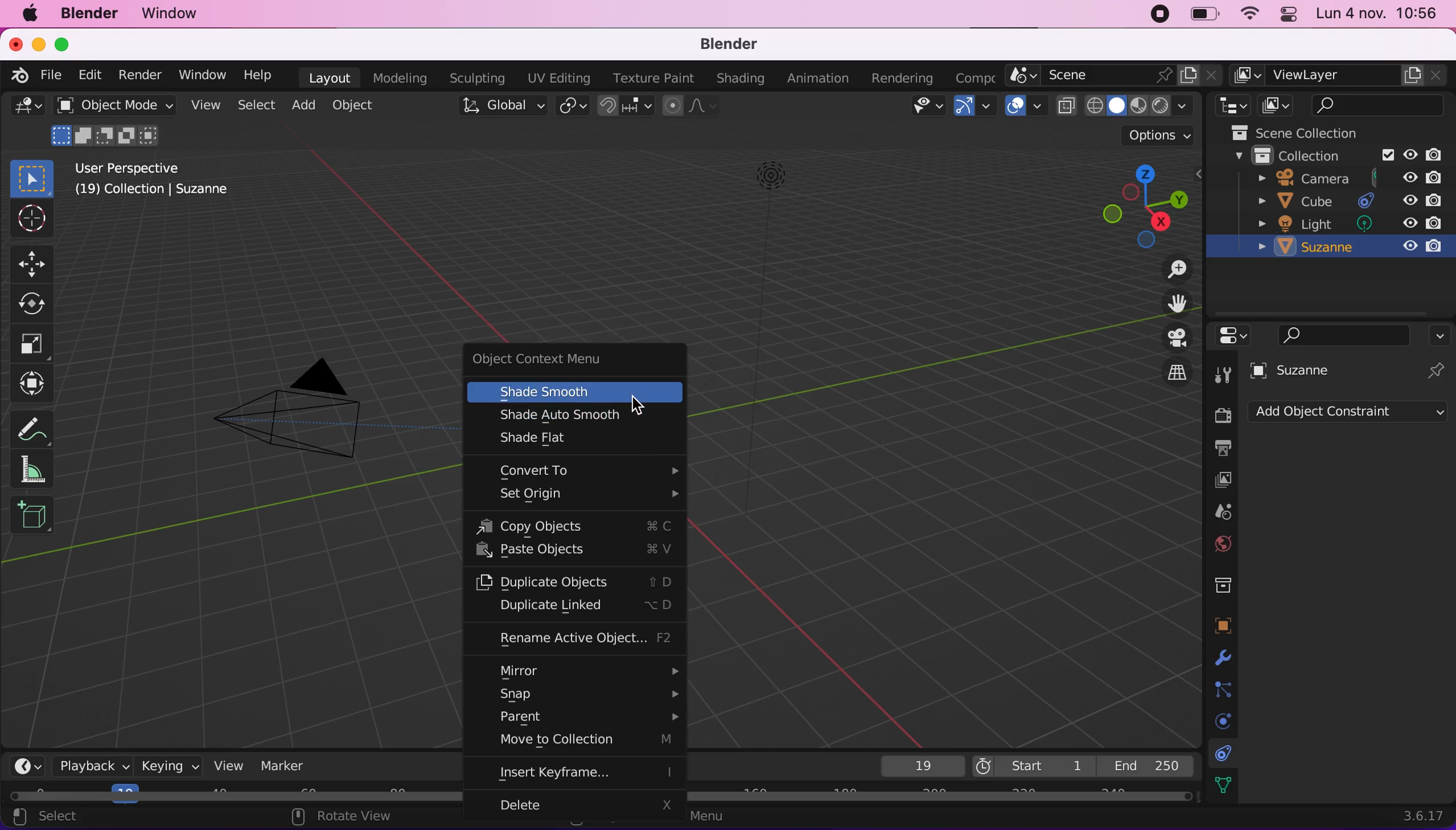  I want to click on minimize, so click(39, 43).